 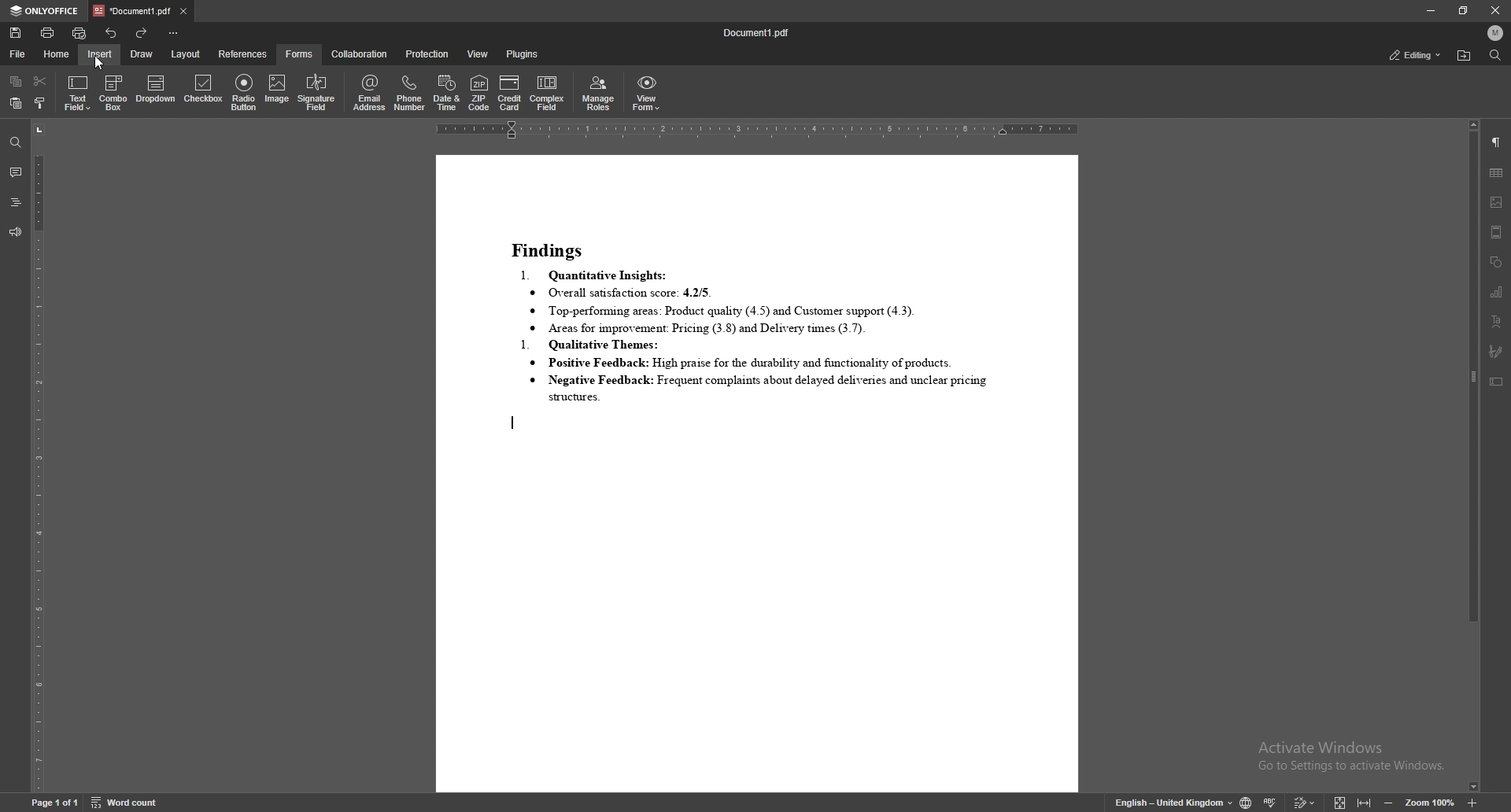 I want to click on change text language, so click(x=1173, y=803).